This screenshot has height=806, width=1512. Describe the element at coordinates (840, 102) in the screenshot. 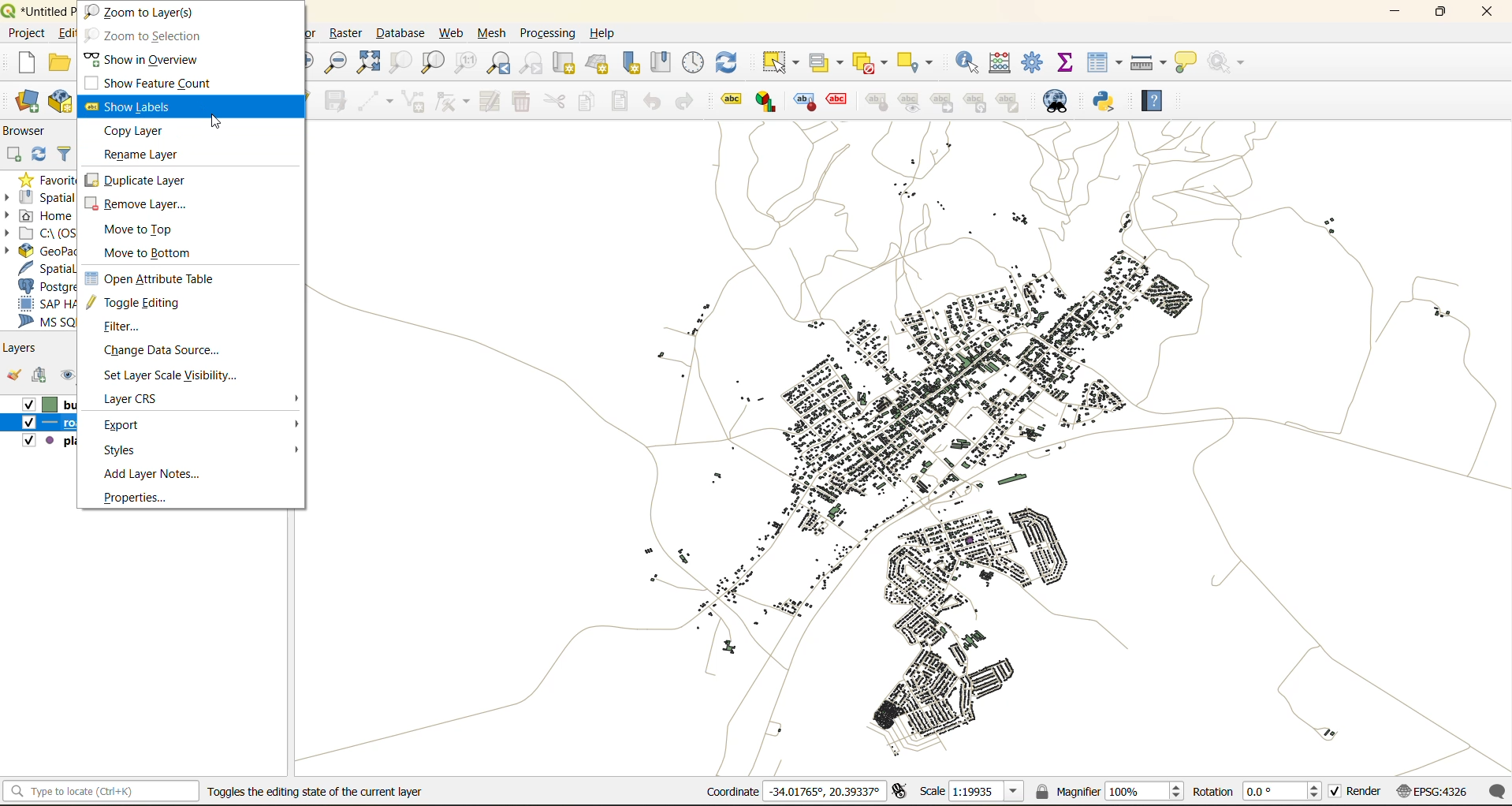

I see `toggle display of unplaced labels` at that location.